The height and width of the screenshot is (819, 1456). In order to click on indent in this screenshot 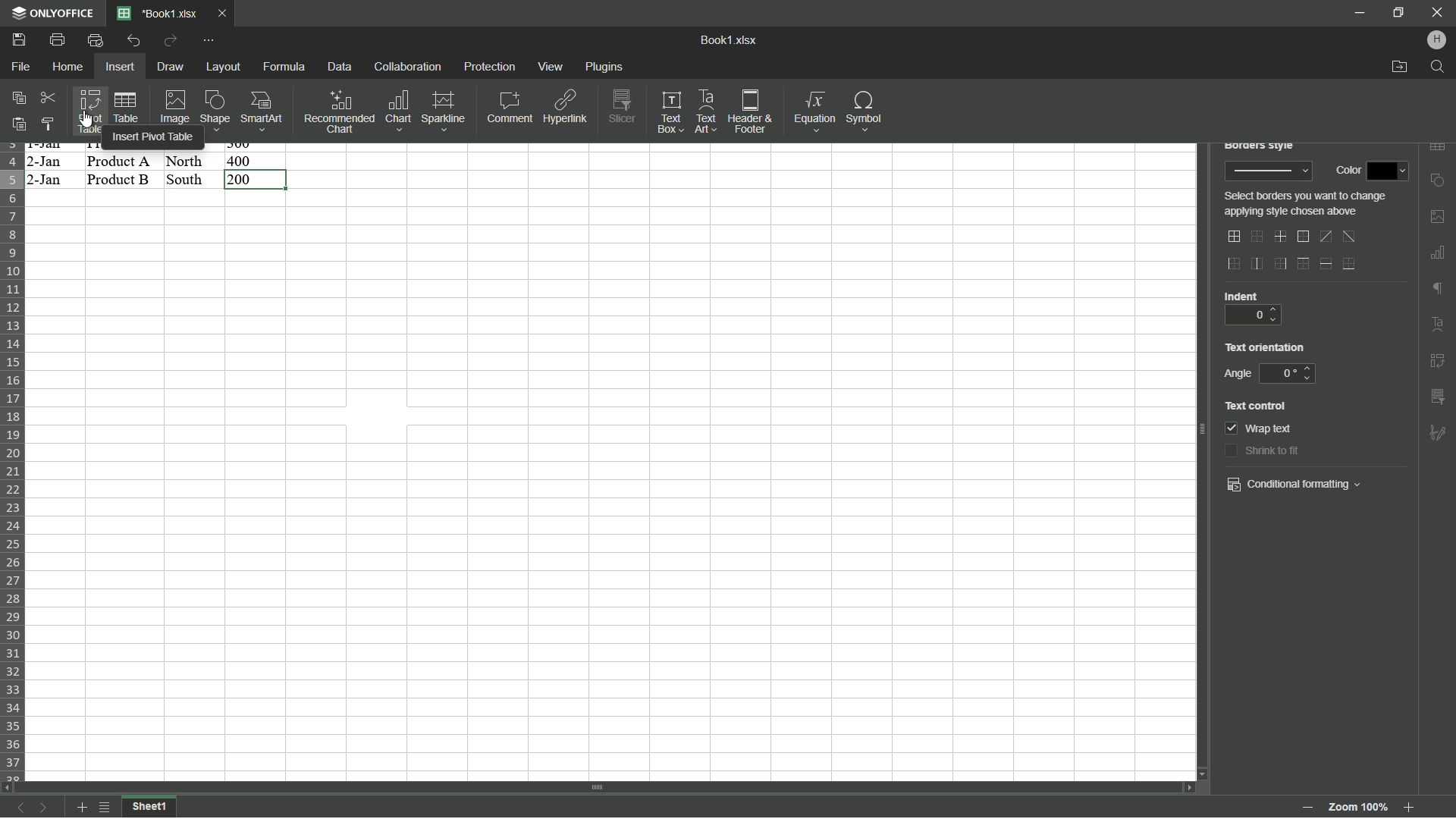, I will do `click(1240, 296)`.